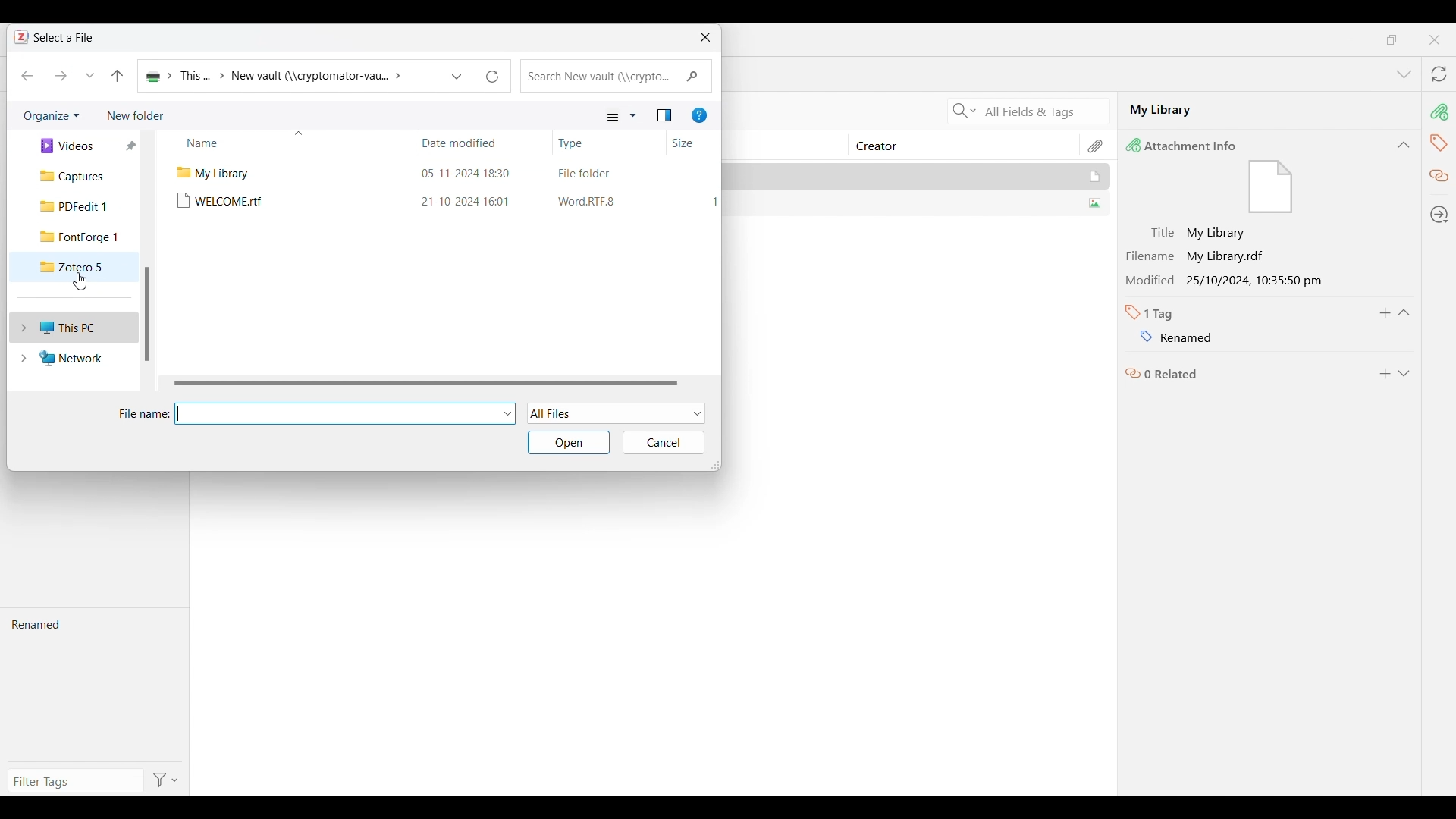 The width and height of the screenshot is (1456, 819). Describe the element at coordinates (333, 413) in the screenshot. I see `Type in file name` at that location.